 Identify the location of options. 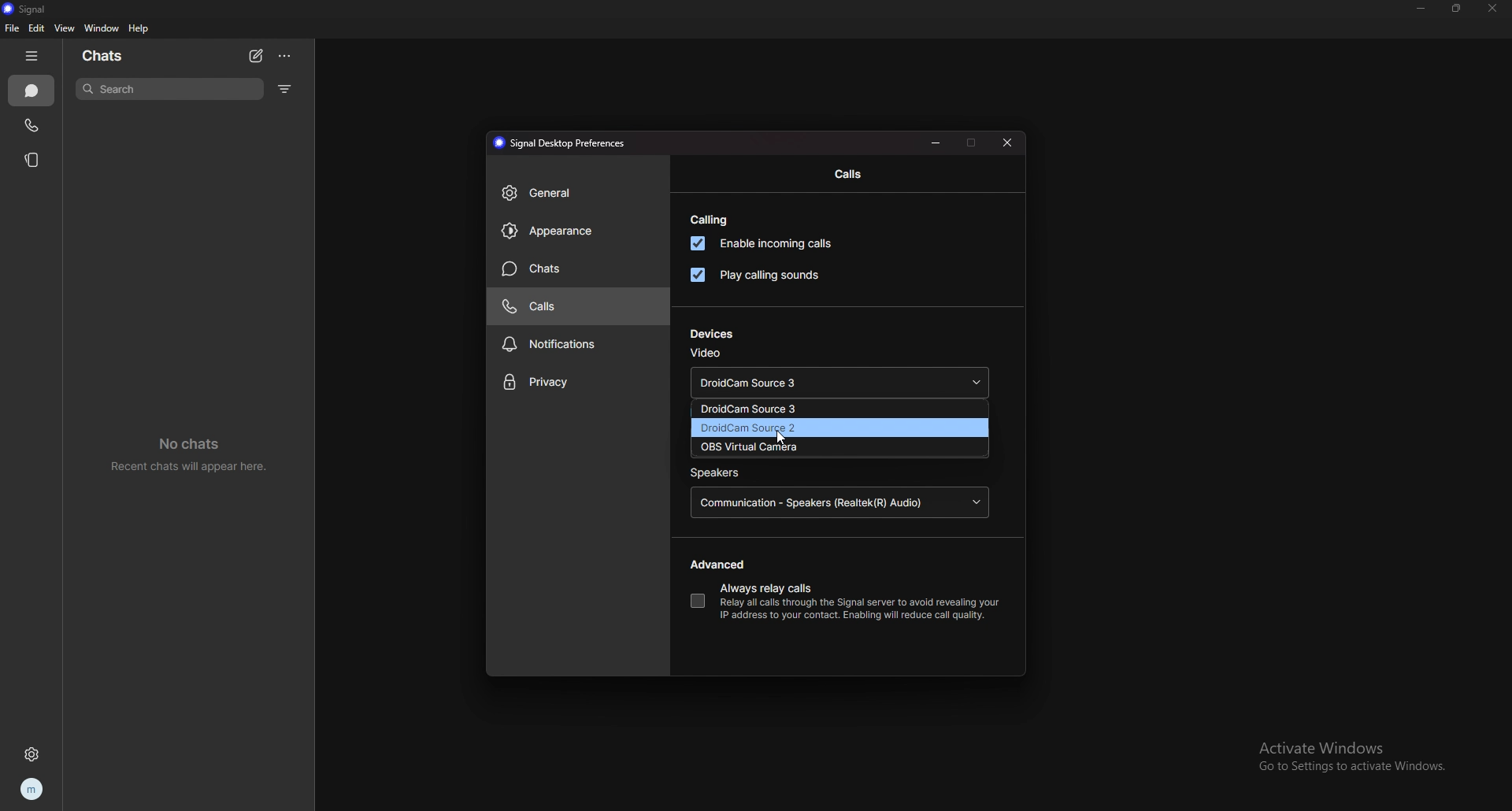
(286, 57).